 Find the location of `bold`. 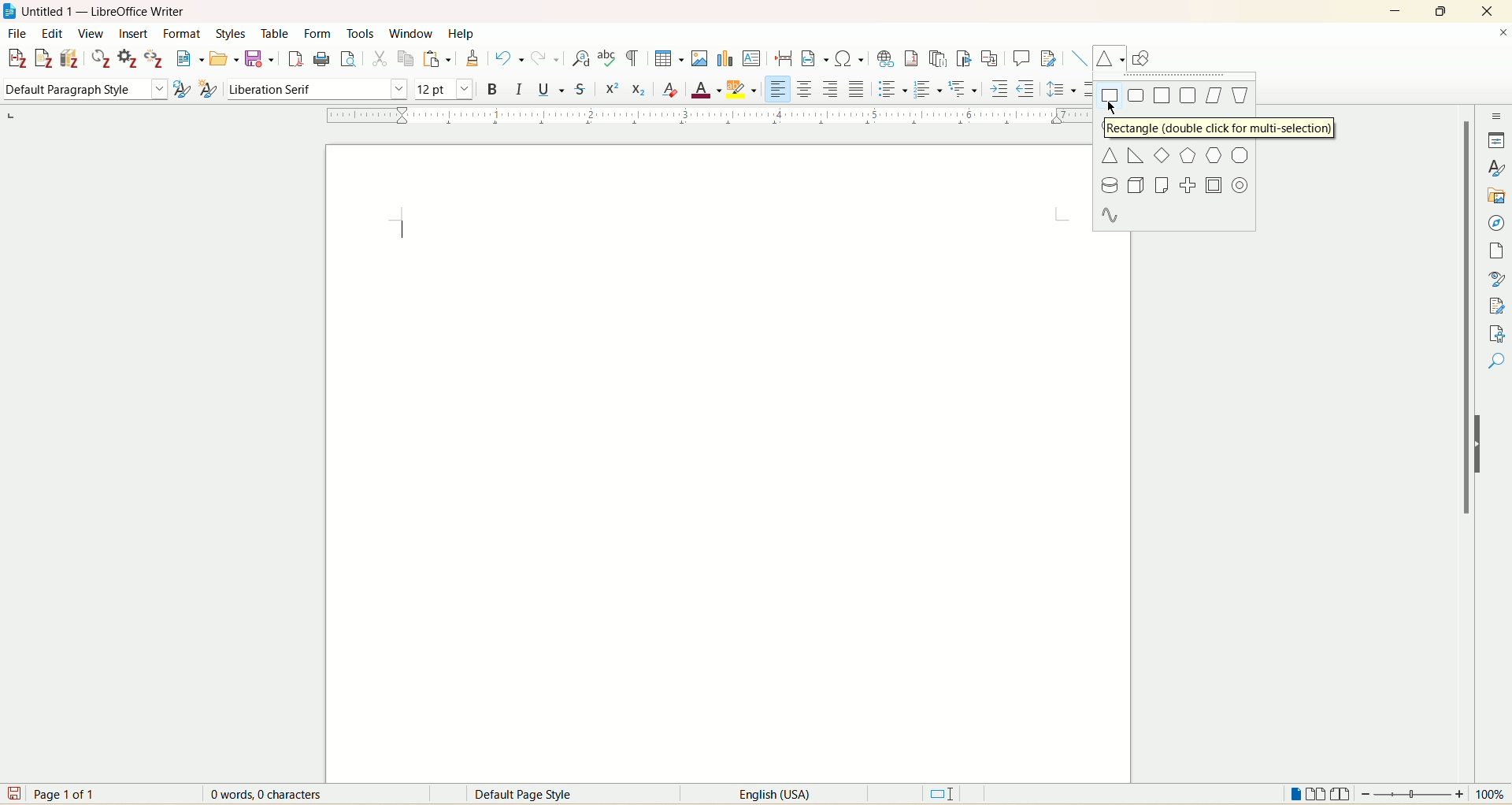

bold is located at coordinates (491, 87).